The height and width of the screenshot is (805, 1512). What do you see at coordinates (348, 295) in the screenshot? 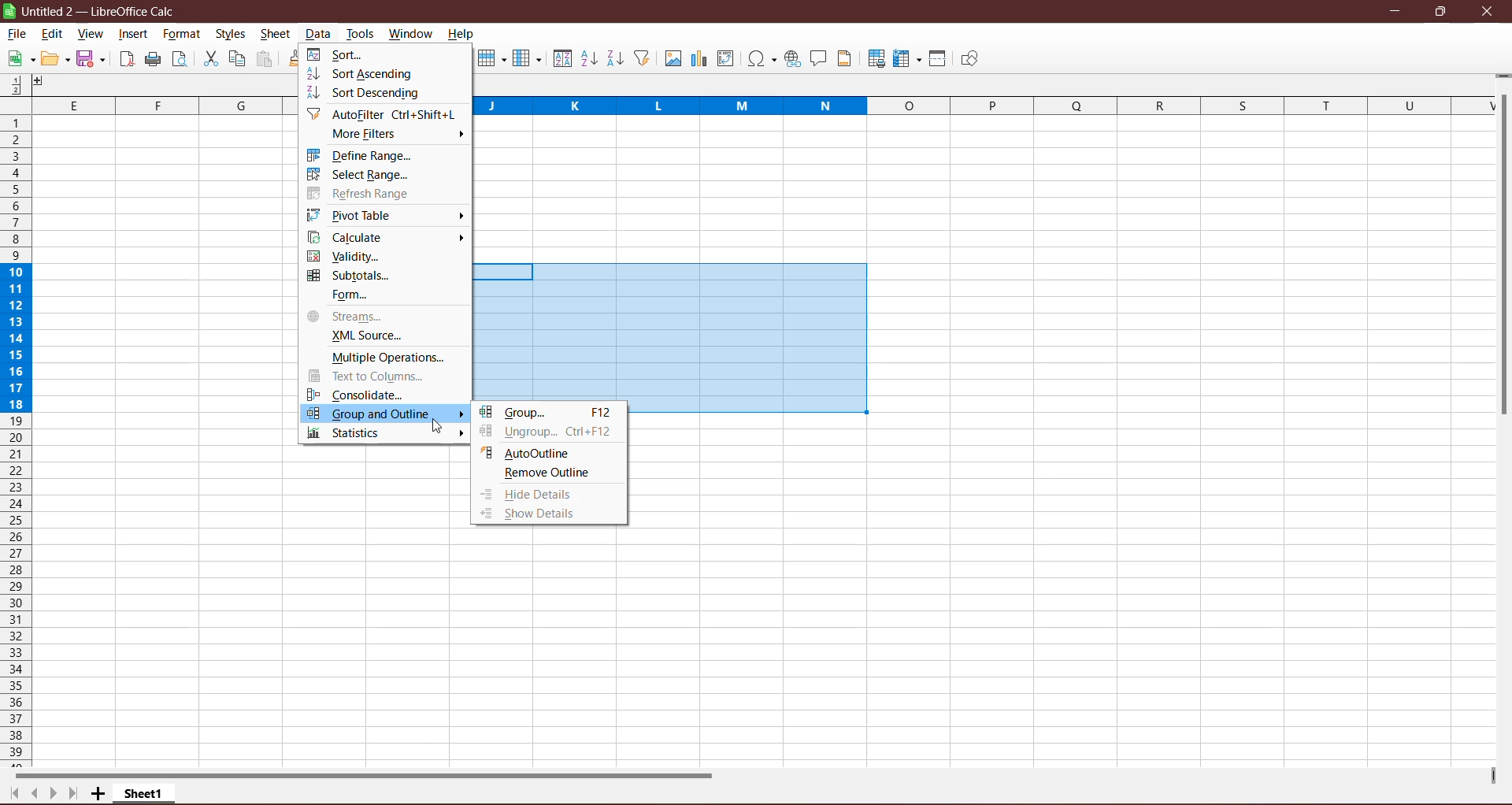
I see `Form` at bounding box center [348, 295].